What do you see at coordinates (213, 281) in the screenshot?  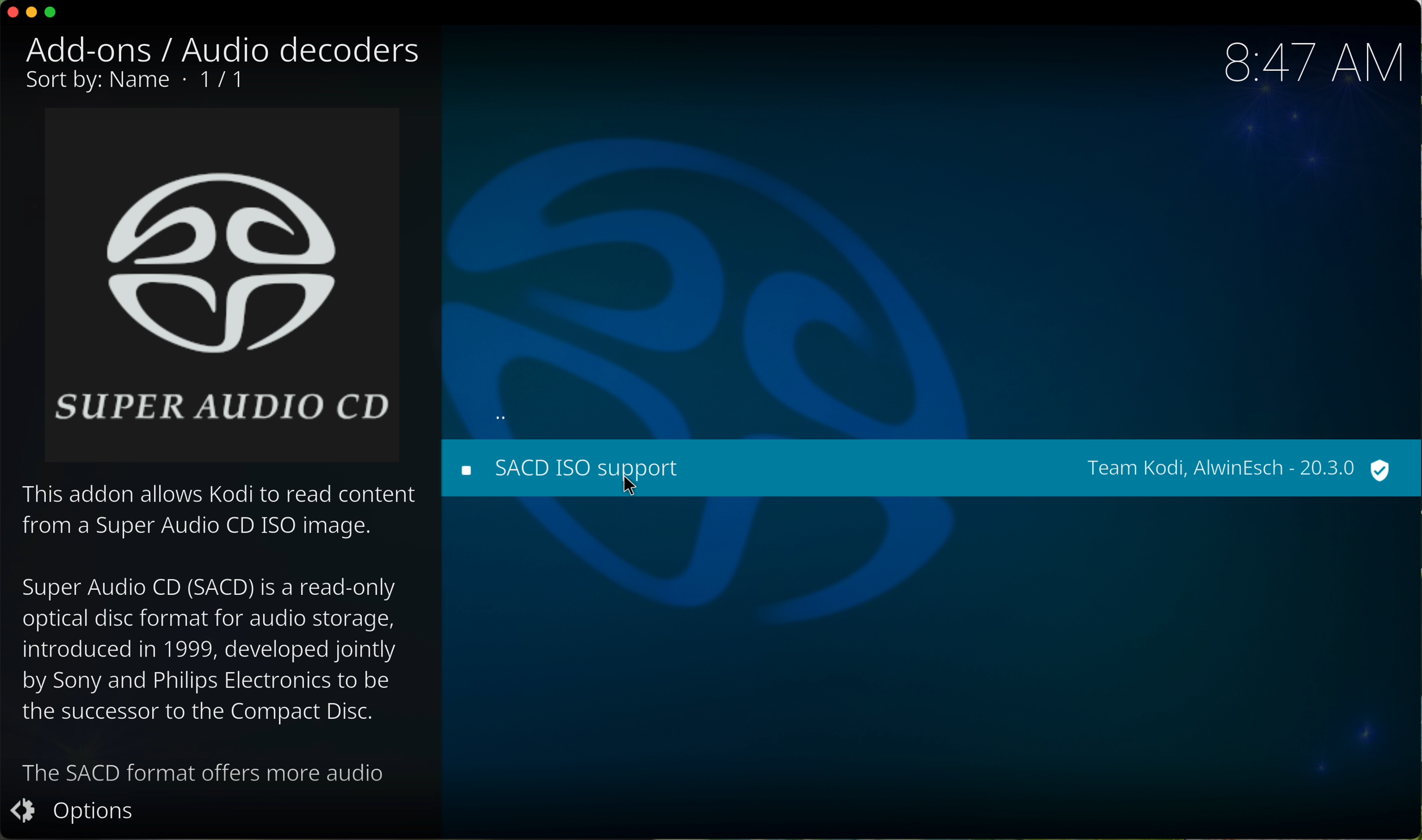 I see `super audio CD image` at bounding box center [213, 281].